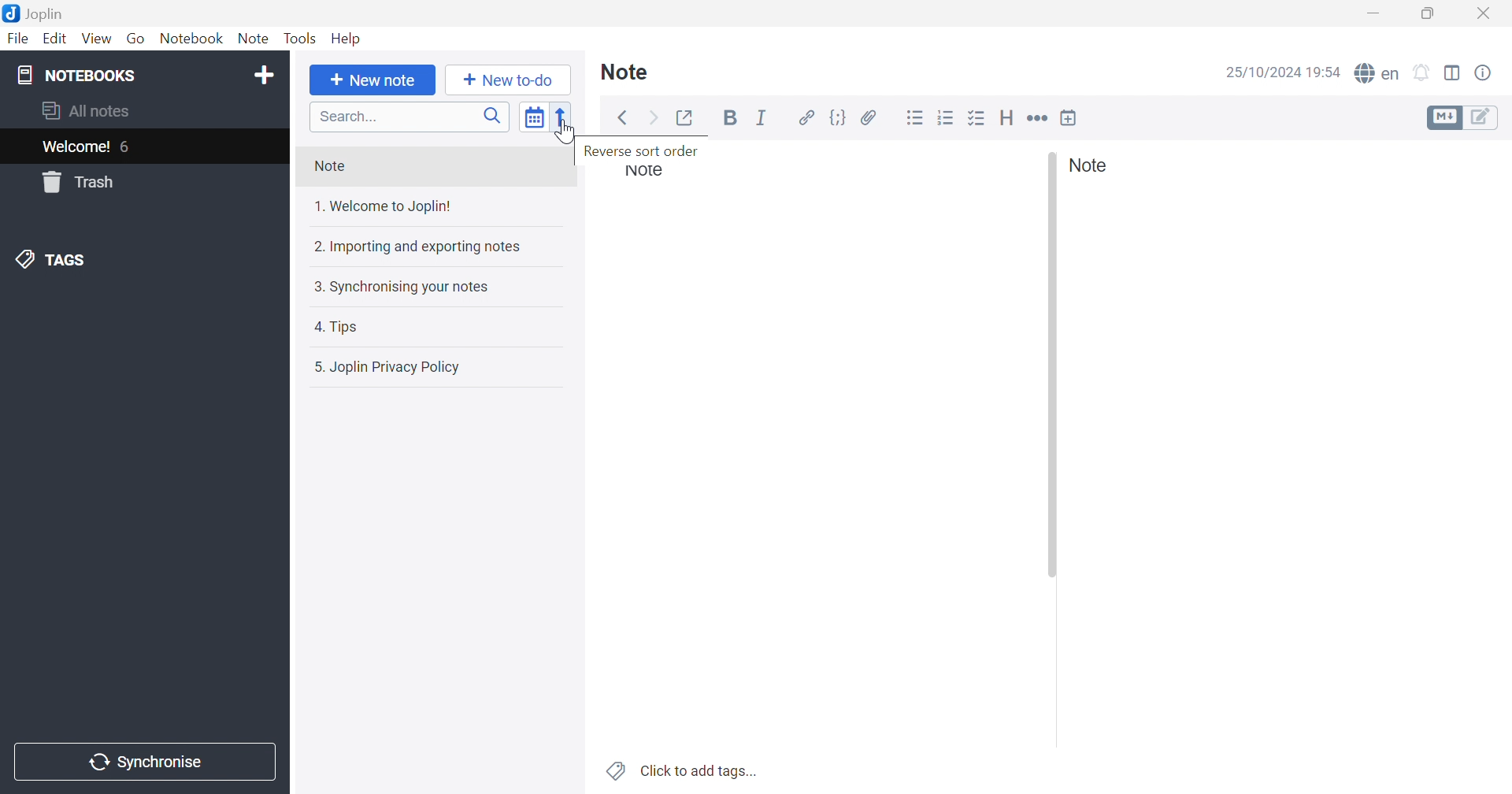  Describe the element at coordinates (1453, 72) in the screenshot. I see `Toggle editor layout` at that location.